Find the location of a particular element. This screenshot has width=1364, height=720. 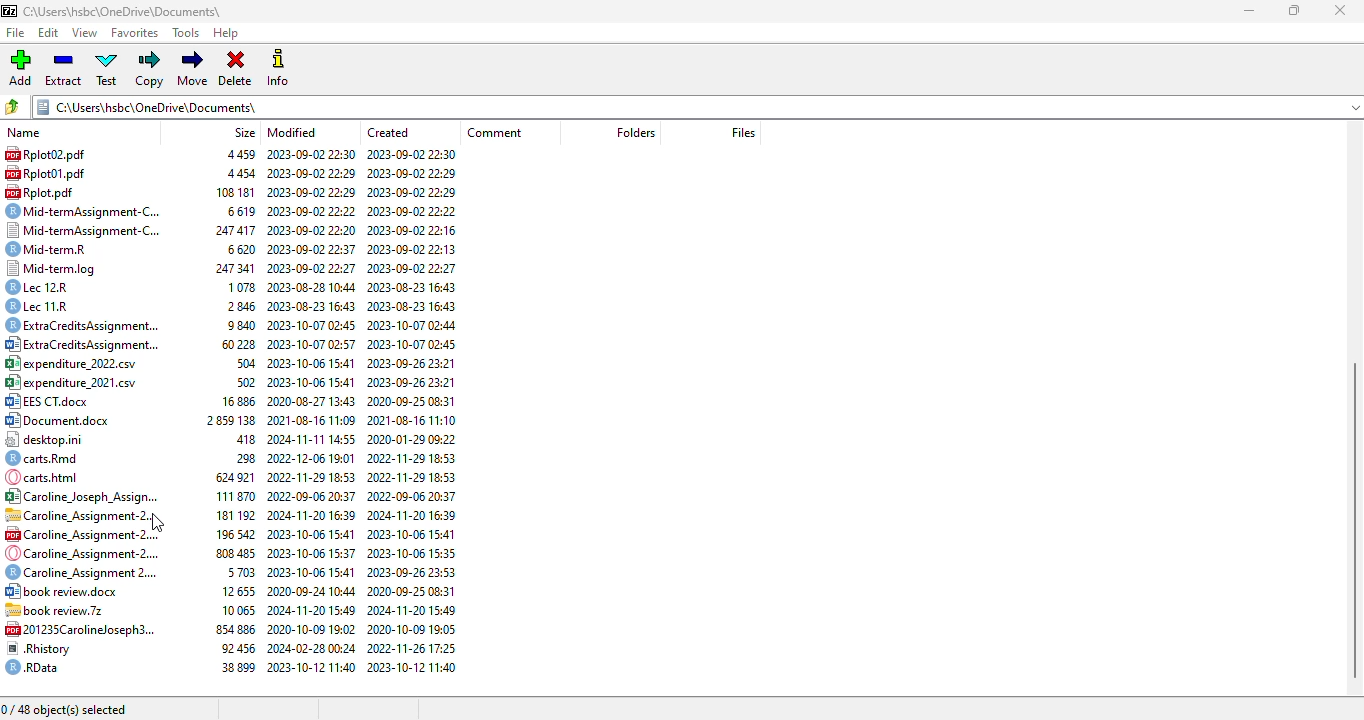

2023-09-02 22-27 is located at coordinates (312, 266).